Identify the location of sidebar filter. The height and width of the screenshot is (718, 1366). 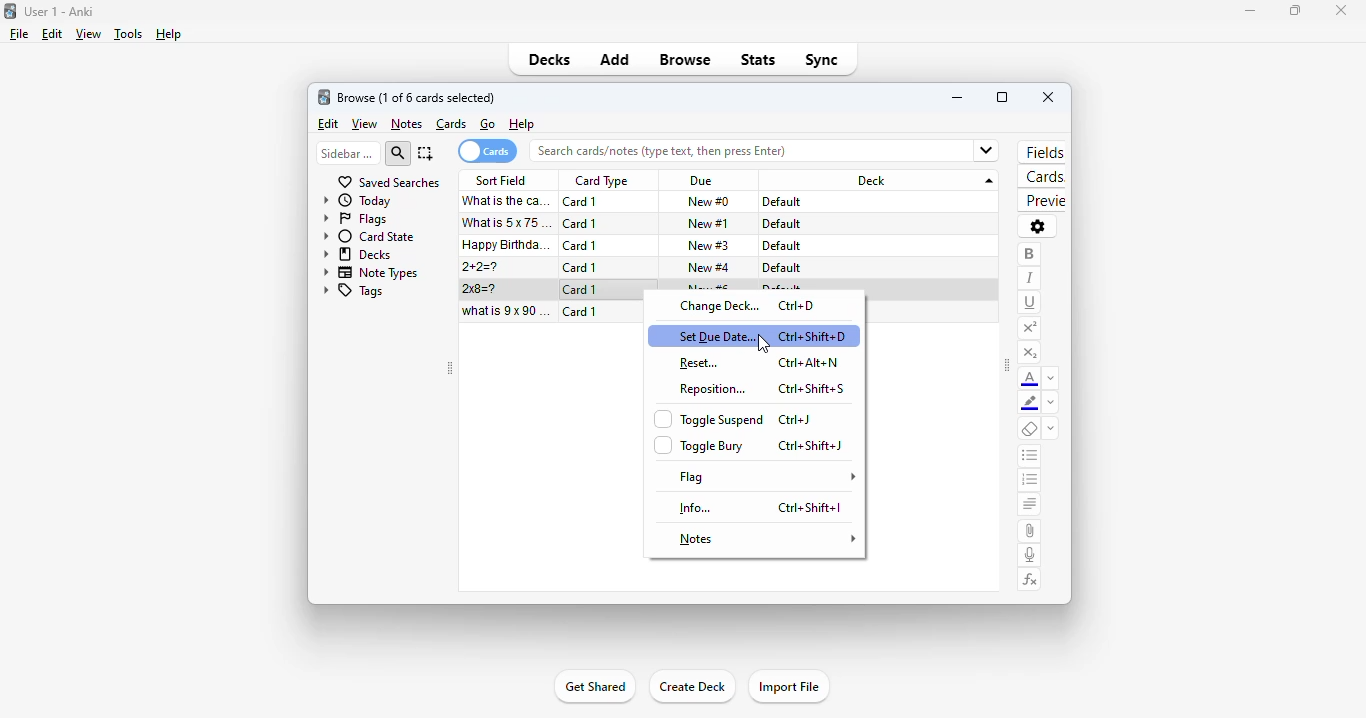
(347, 153).